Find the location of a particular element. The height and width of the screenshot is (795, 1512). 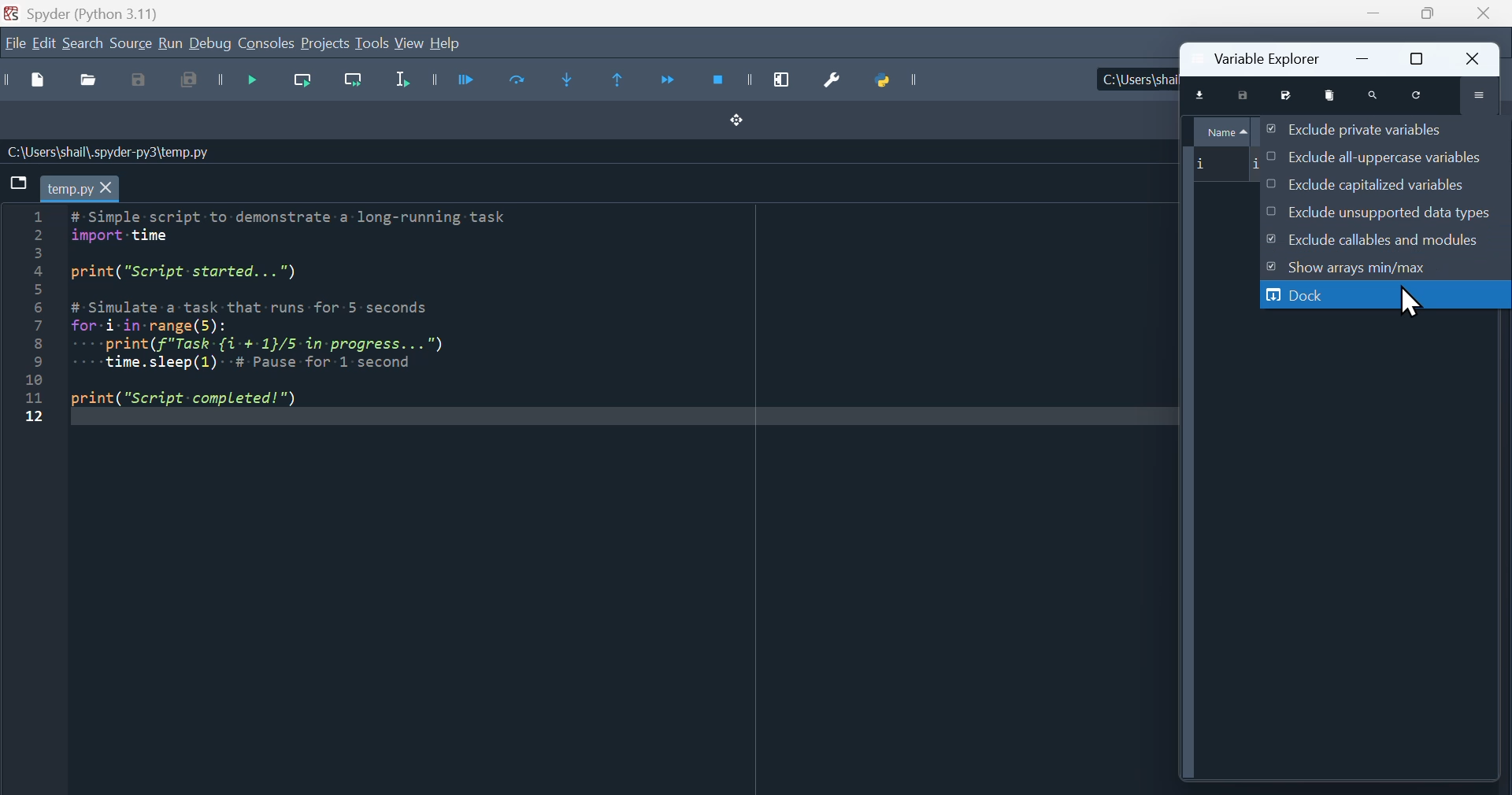

help is located at coordinates (446, 43).